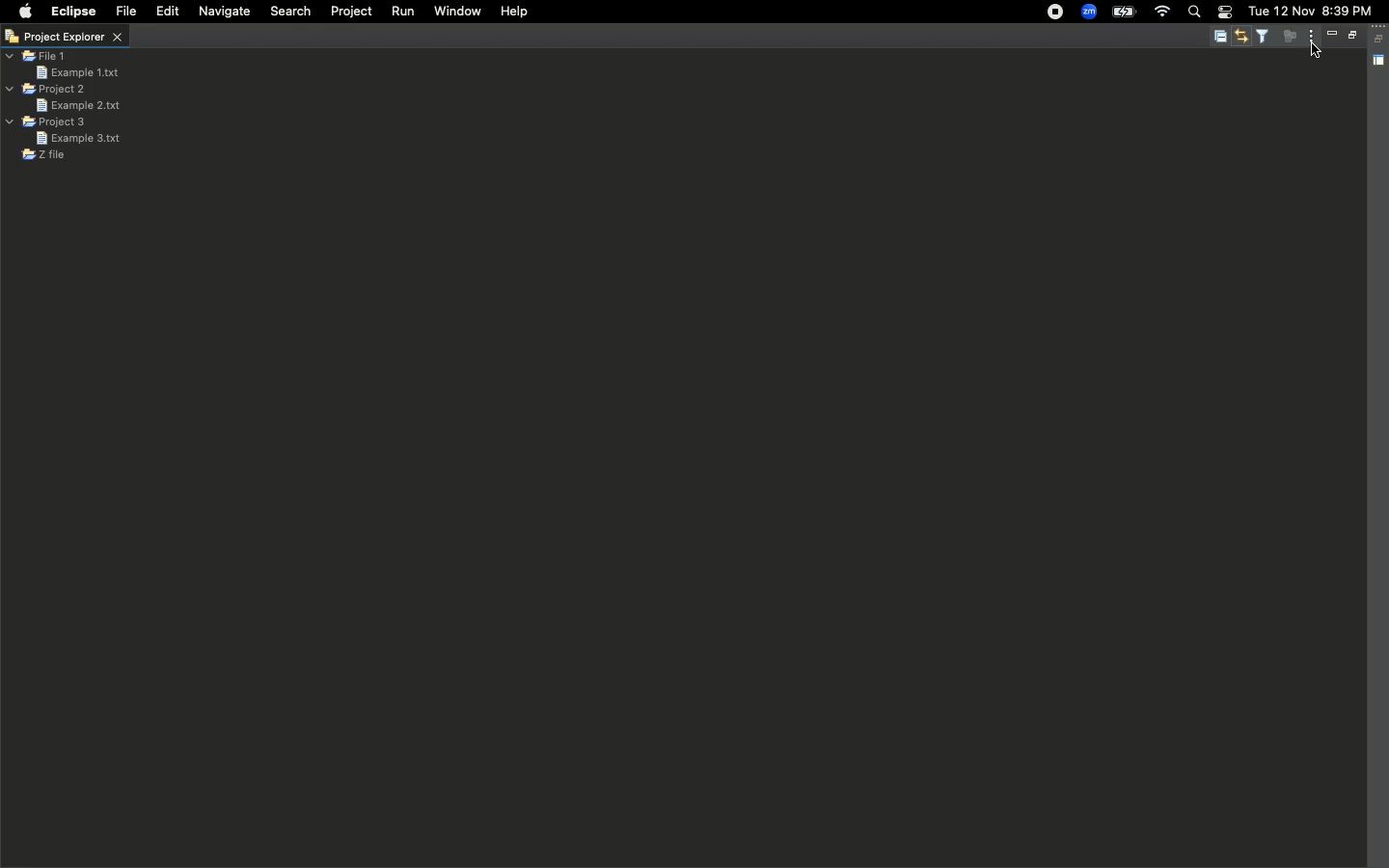  What do you see at coordinates (38, 57) in the screenshot?
I see `File 1` at bounding box center [38, 57].